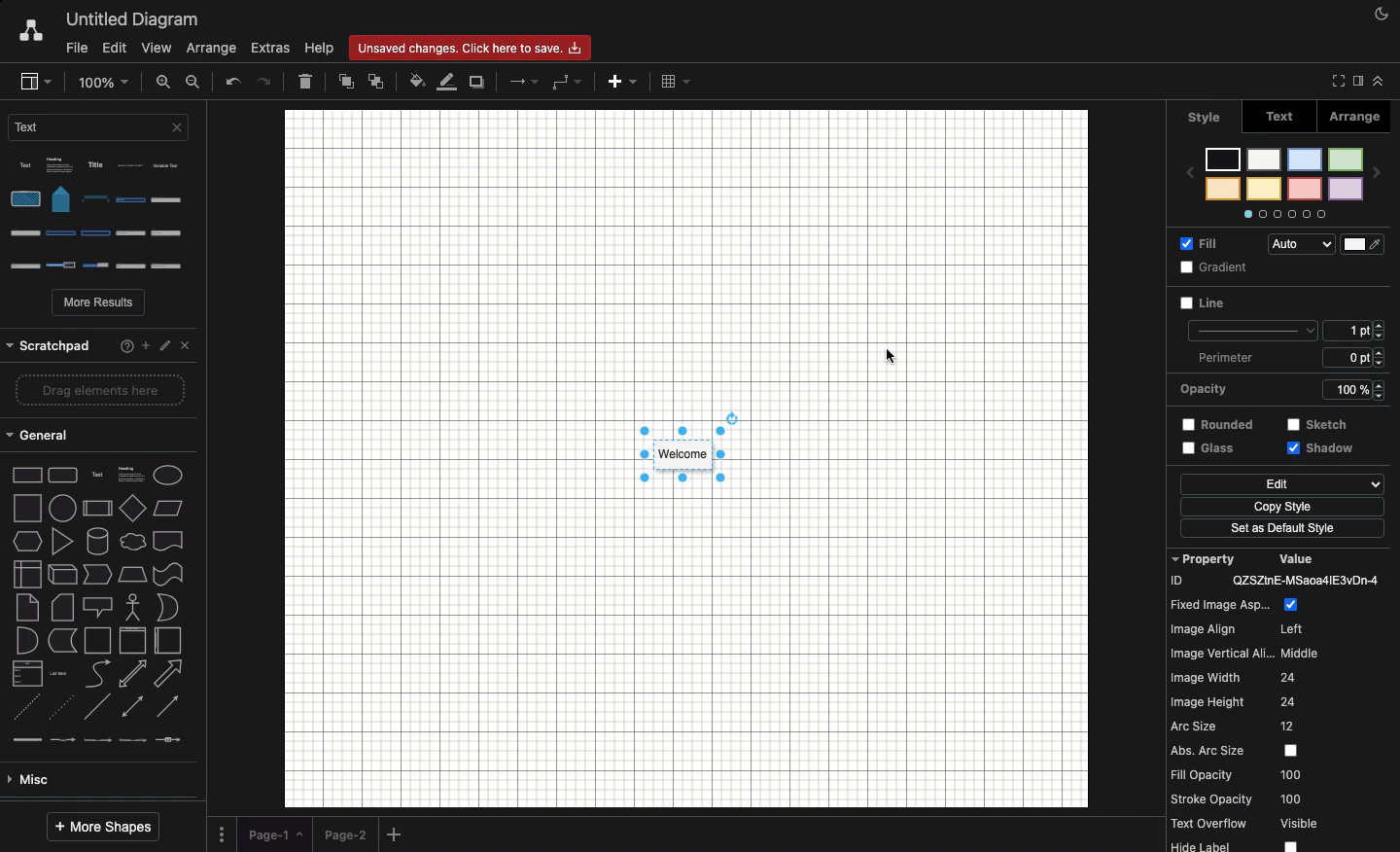 The height and width of the screenshot is (852, 1400). Describe the element at coordinates (97, 340) in the screenshot. I see `` at that location.